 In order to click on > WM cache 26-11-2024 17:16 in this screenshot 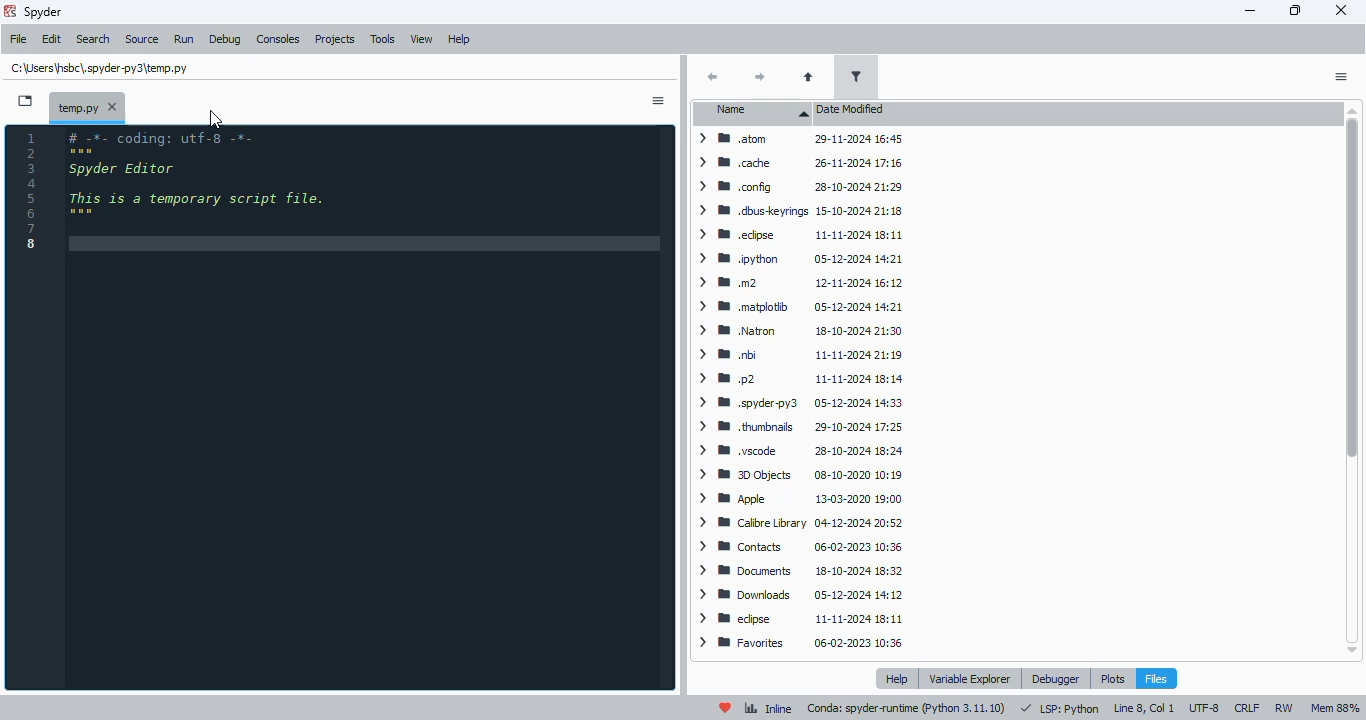, I will do `click(795, 163)`.